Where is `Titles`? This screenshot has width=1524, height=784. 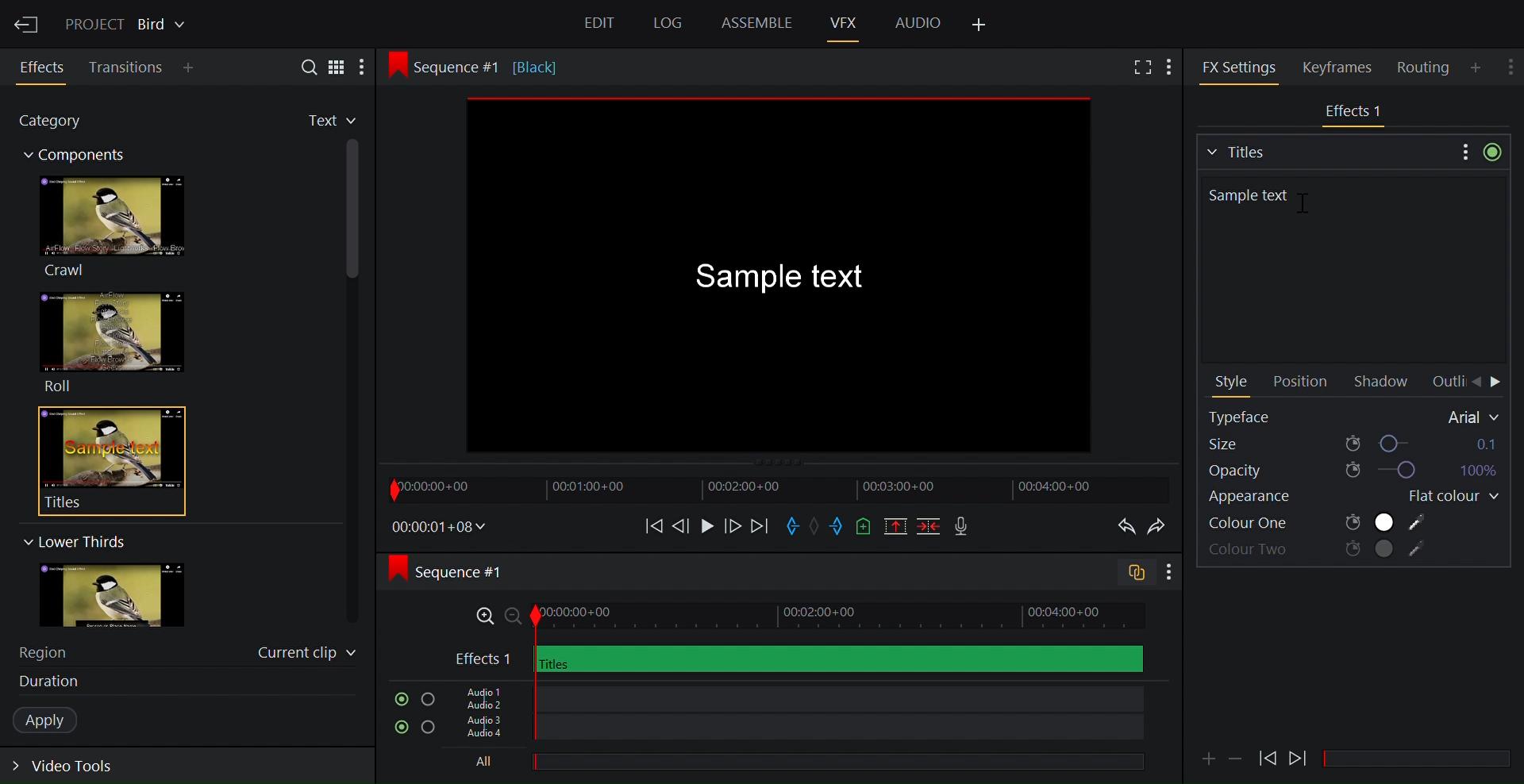
Titles is located at coordinates (1325, 150).